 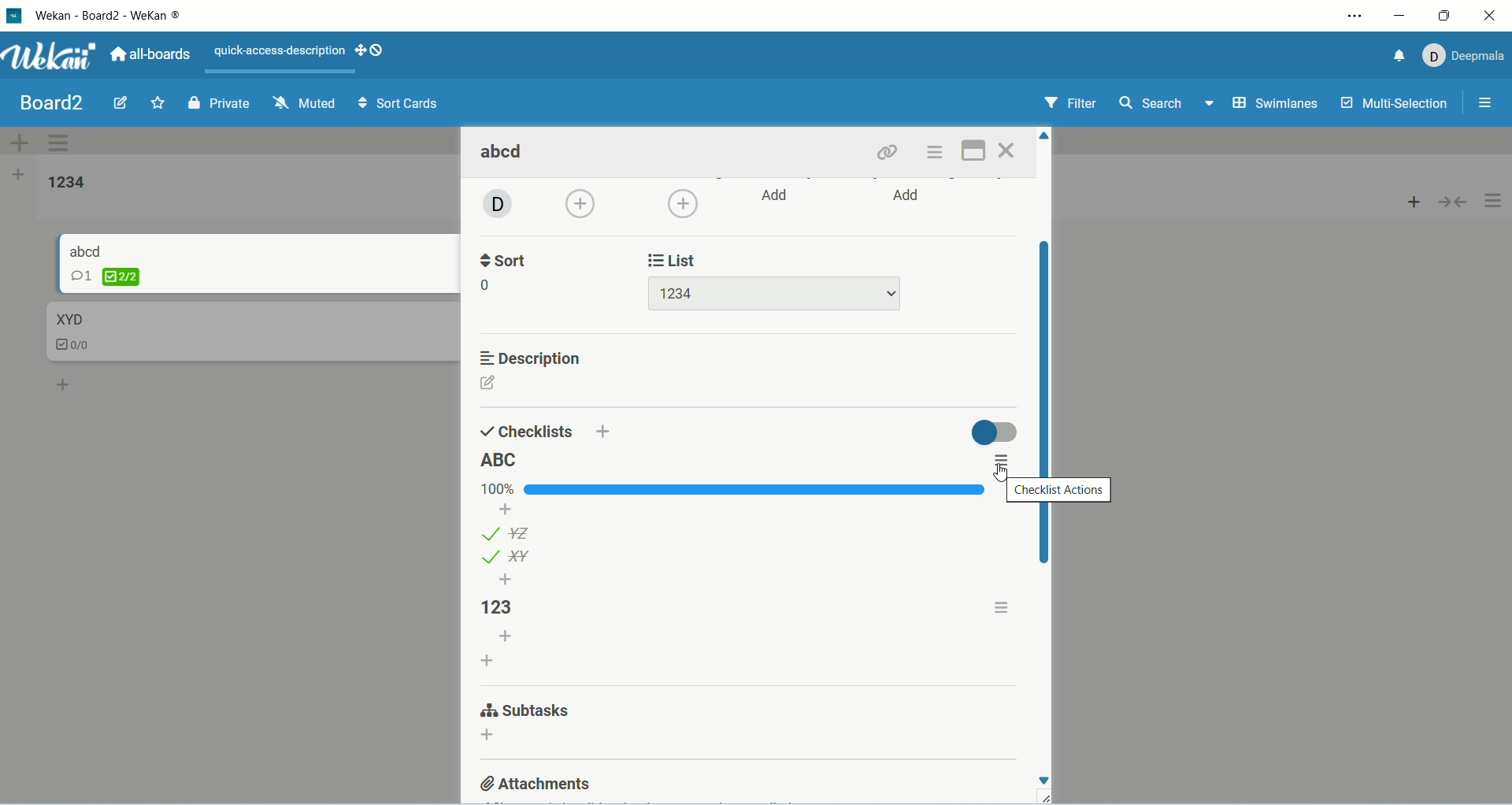 I want to click on add, so click(x=777, y=195).